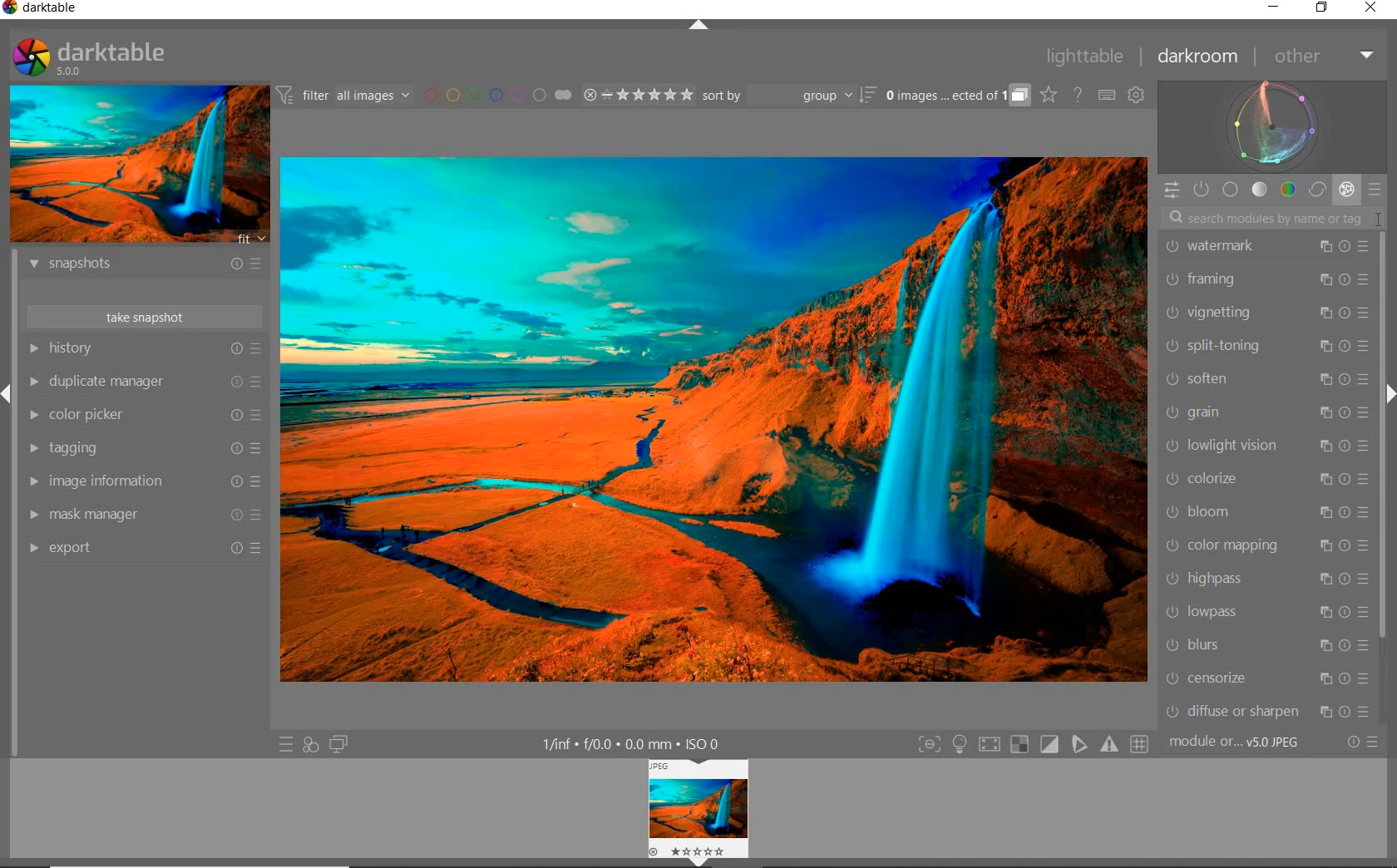 This screenshot has height=868, width=1397. I want to click on colorize, so click(1264, 479).